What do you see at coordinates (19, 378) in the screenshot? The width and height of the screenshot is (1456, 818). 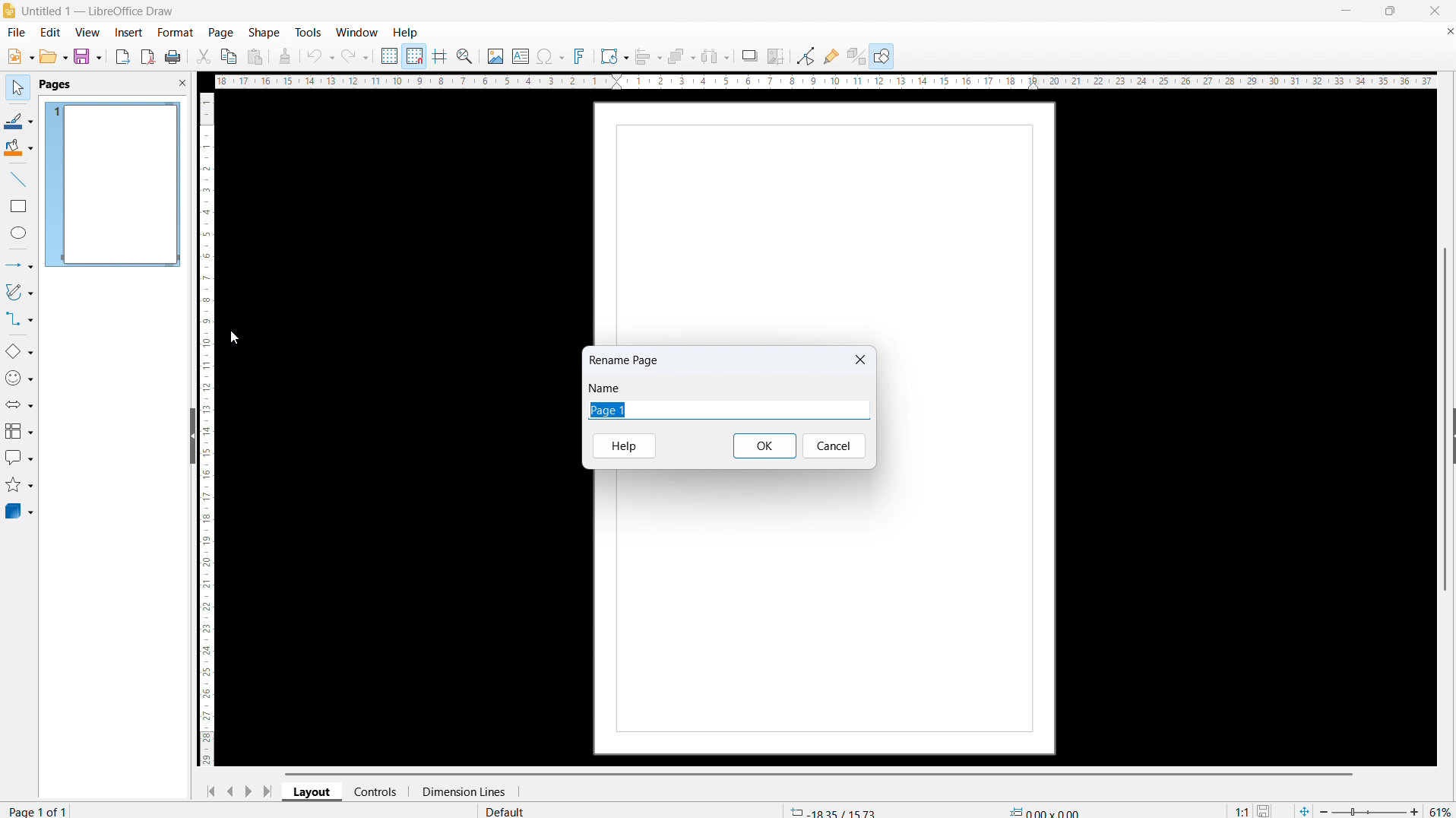 I see `symbol shapes` at bounding box center [19, 378].